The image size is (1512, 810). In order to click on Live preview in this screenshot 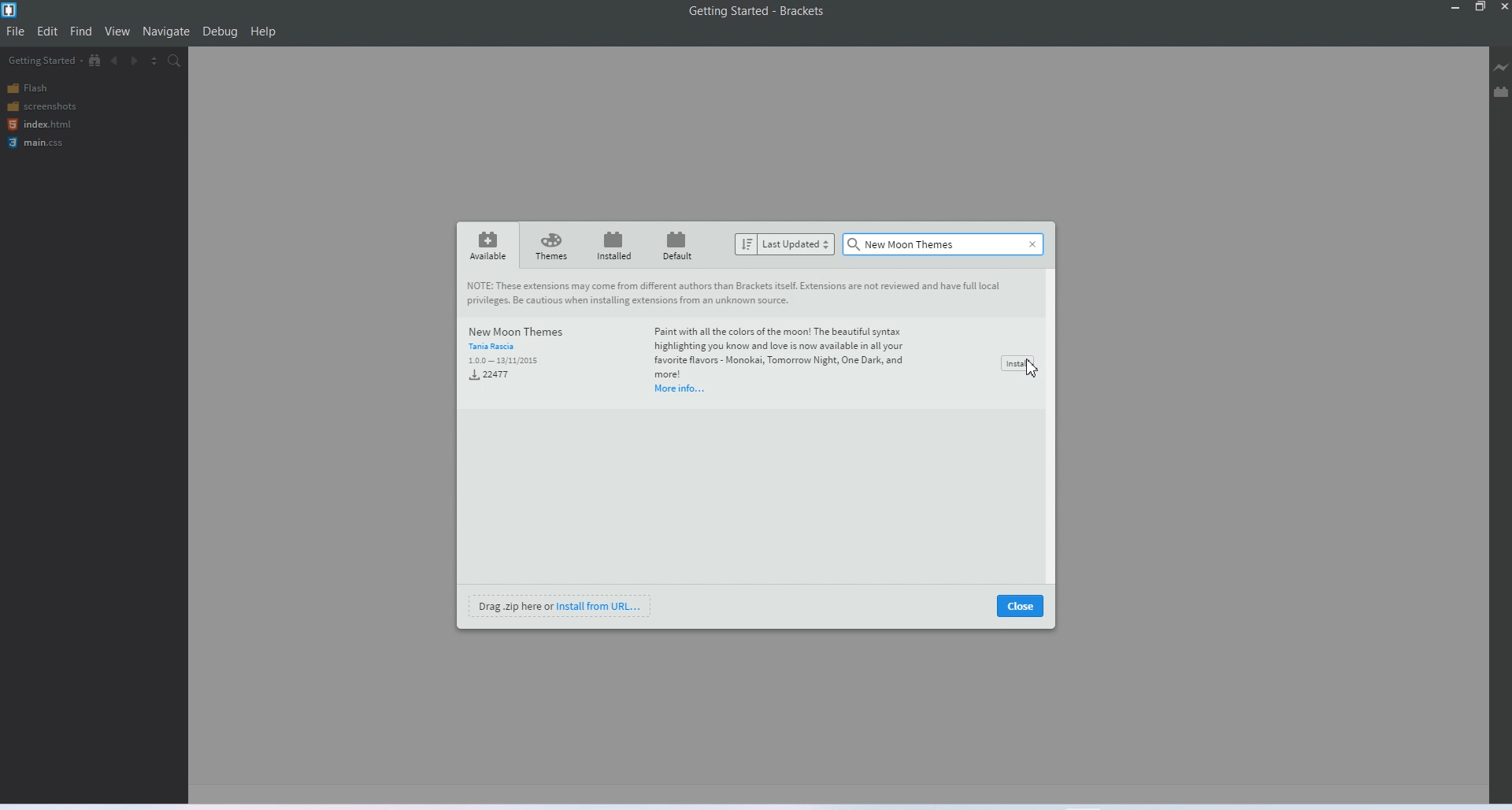, I will do `click(1503, 66)`.